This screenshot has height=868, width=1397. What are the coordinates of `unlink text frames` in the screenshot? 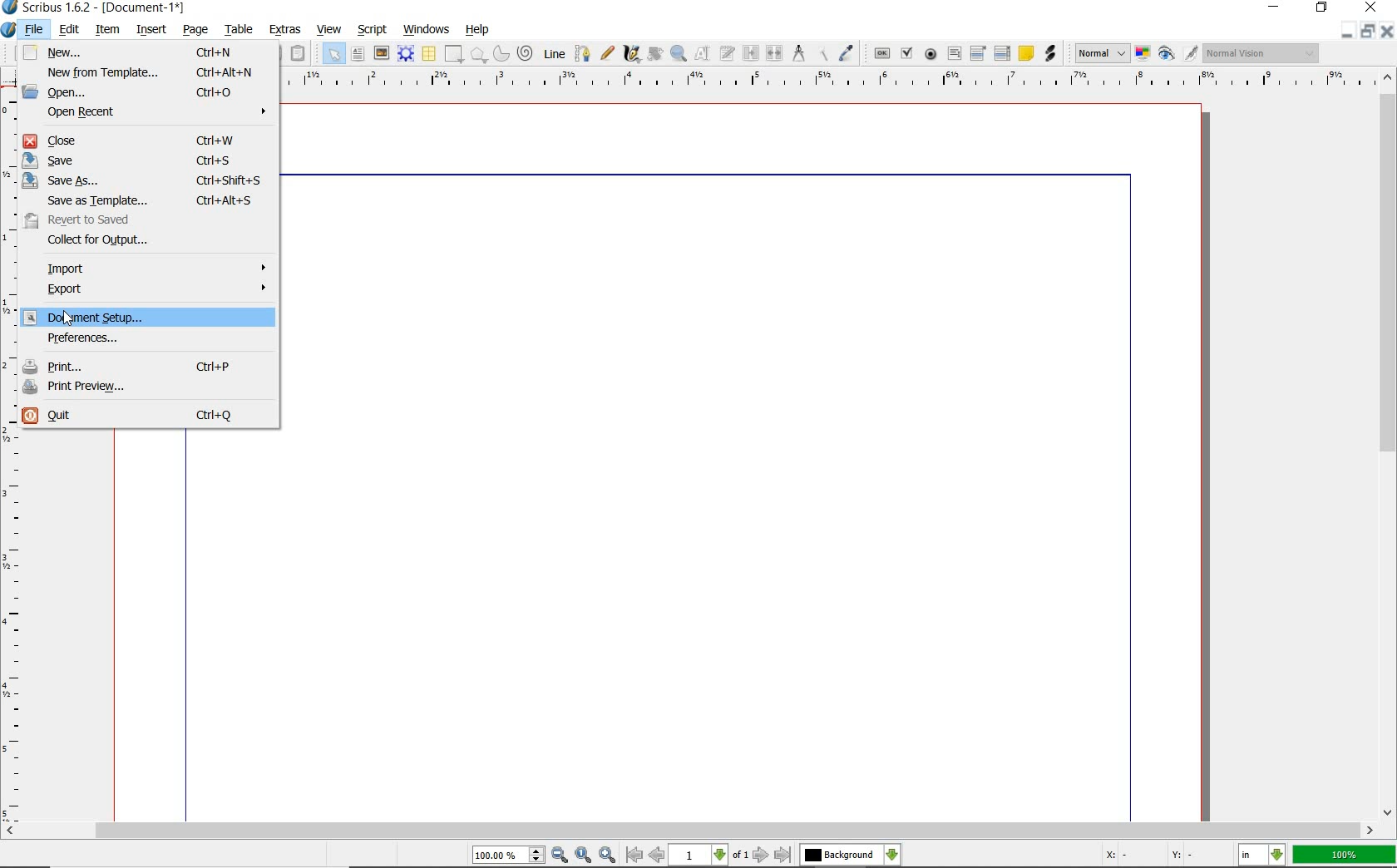 It's located at (775, 52).